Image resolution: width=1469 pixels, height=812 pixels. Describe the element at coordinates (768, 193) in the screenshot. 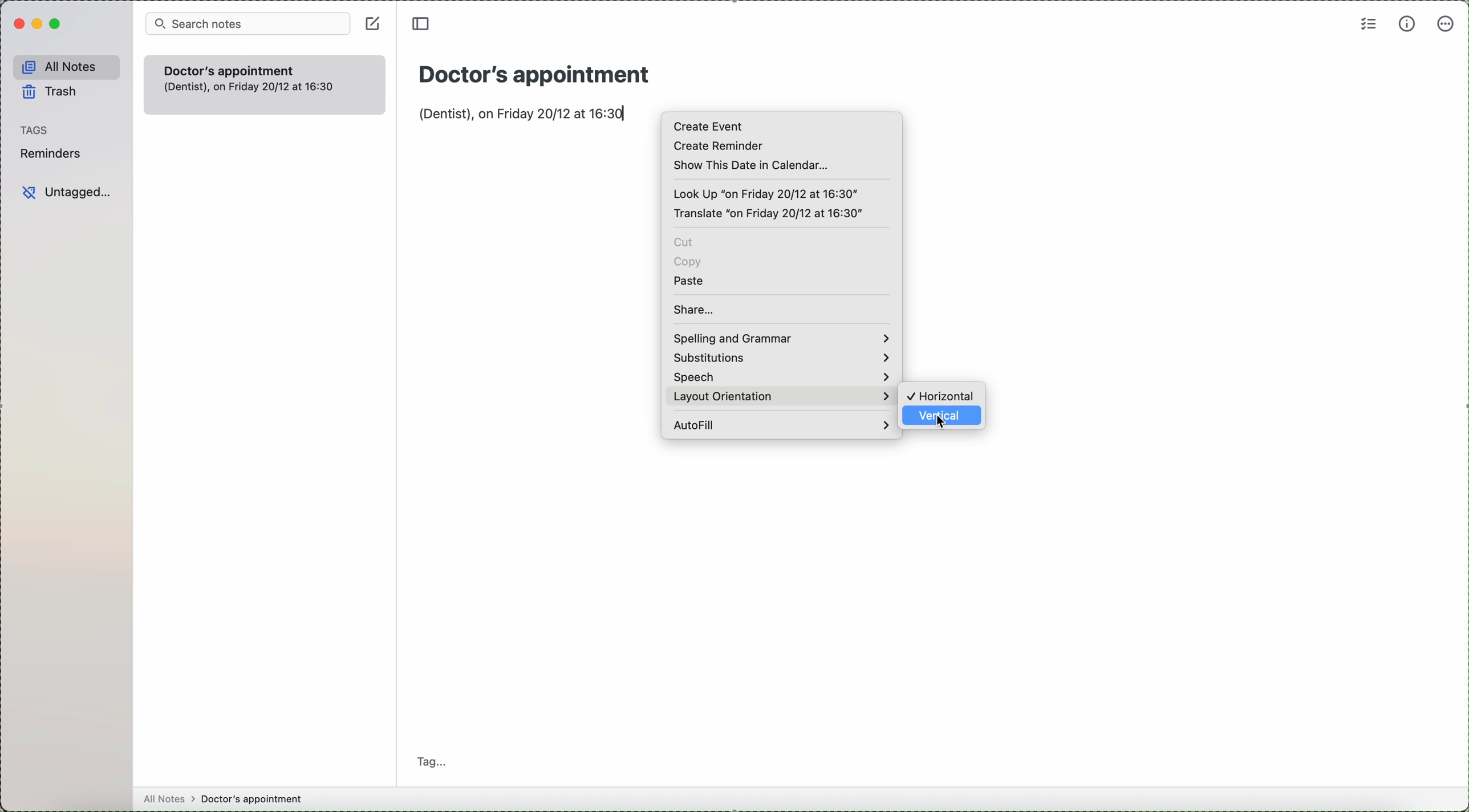

I see `look up on friday 20/12 at 16:30` at that location.